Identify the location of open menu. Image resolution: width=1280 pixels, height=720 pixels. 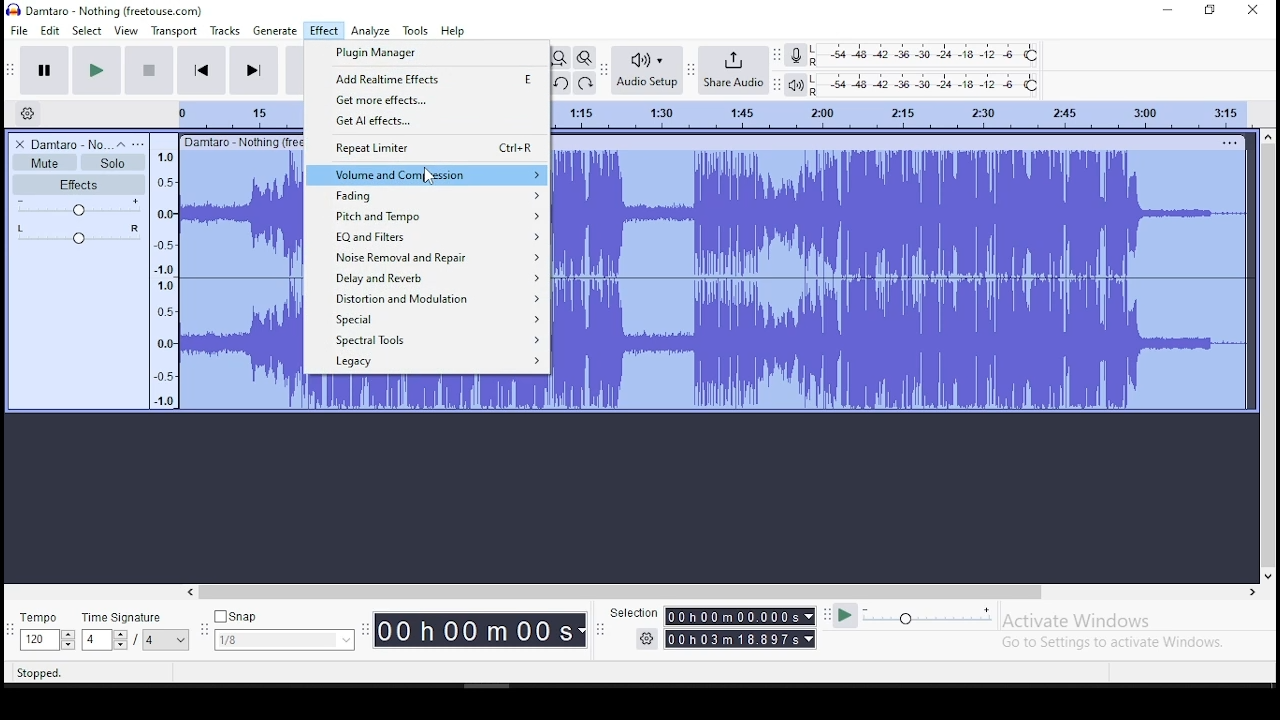
(141, 143).